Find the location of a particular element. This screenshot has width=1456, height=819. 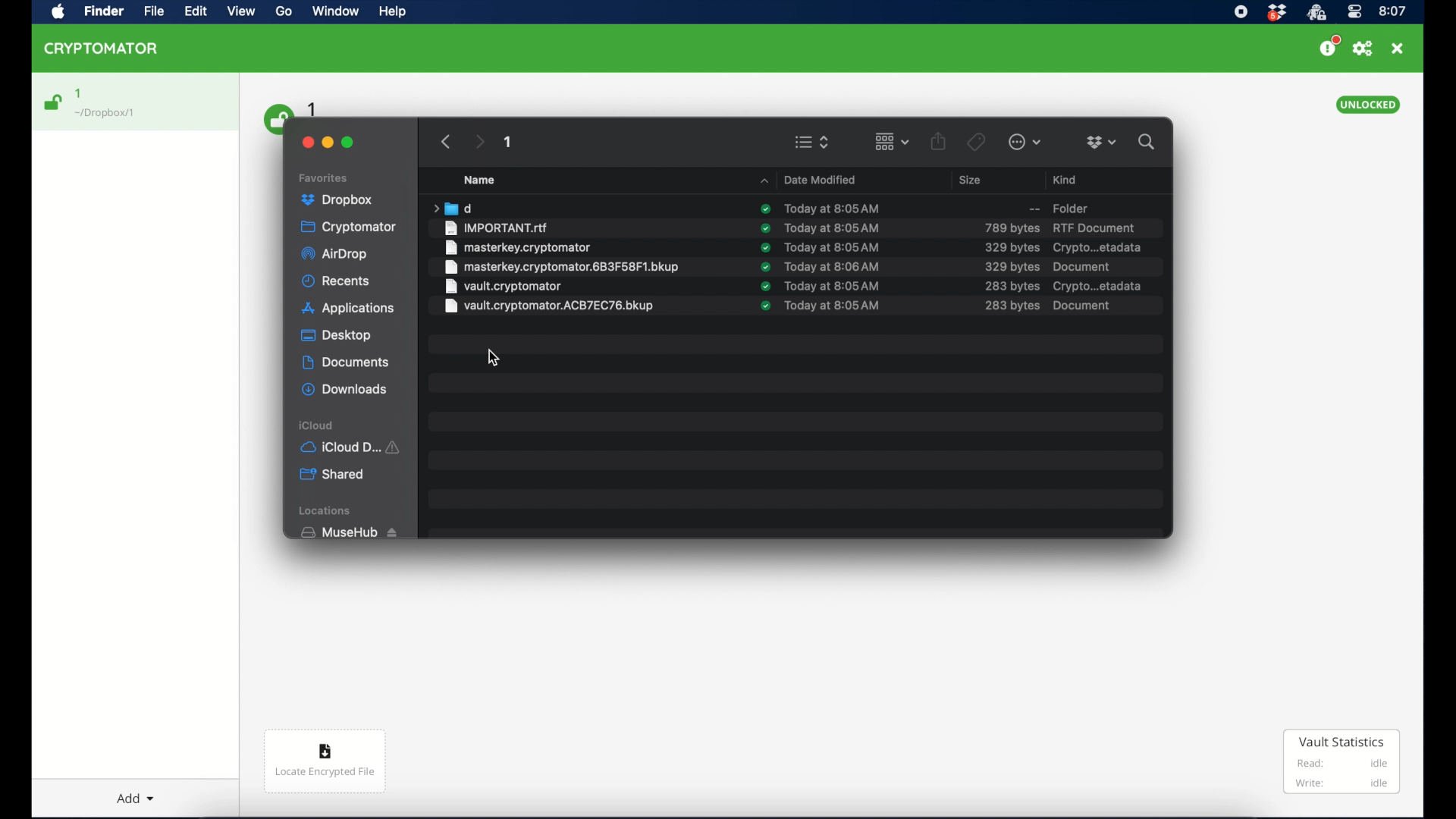

date is located at coordinates (830, 207).